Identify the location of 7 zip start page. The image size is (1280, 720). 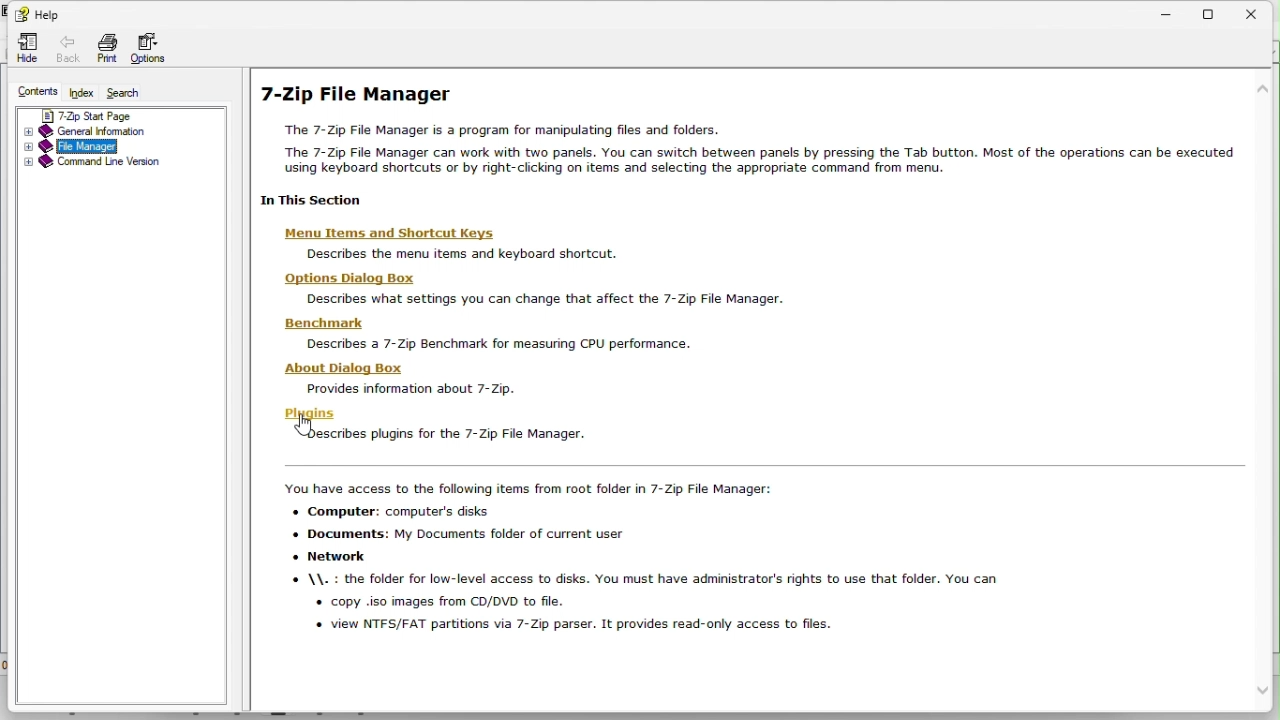
(105, 114).